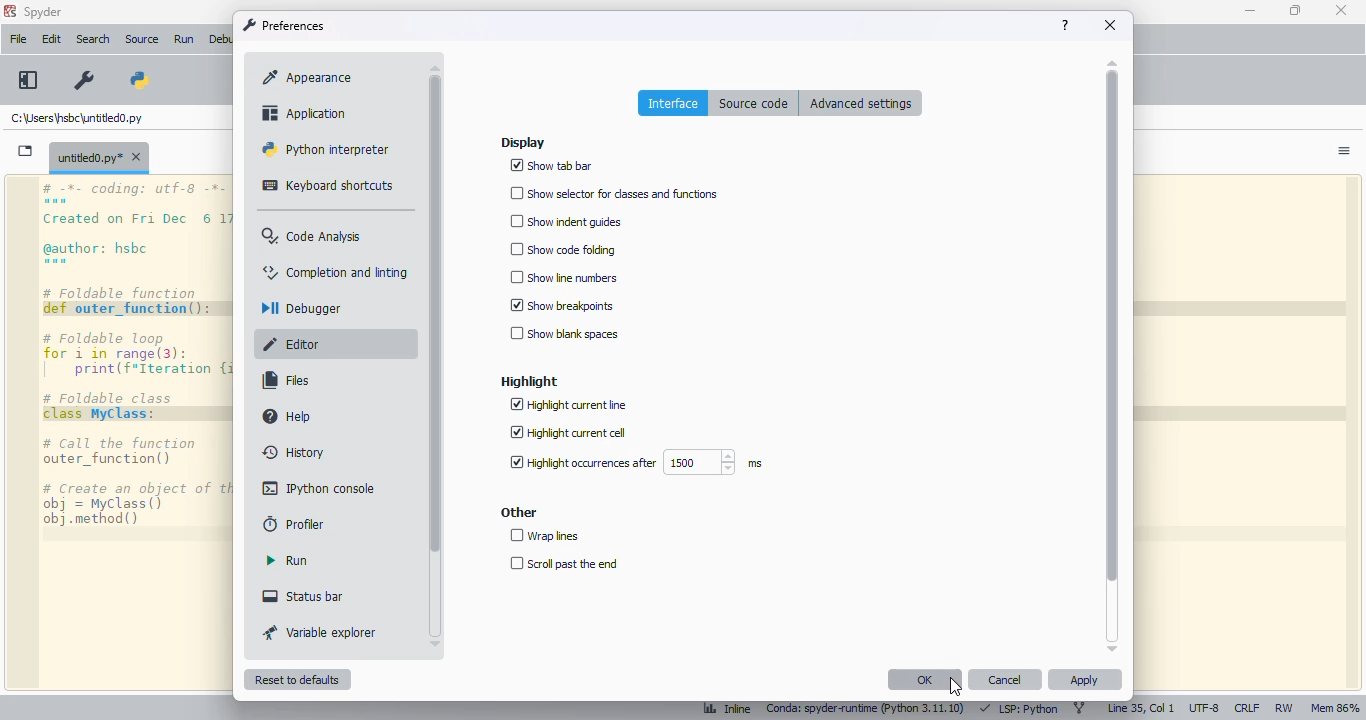 The width and height of the screenshot is (1366, 720). Describe the element at coordinates (545, 536) in the screenshot. I see `wrap lines` at that location.